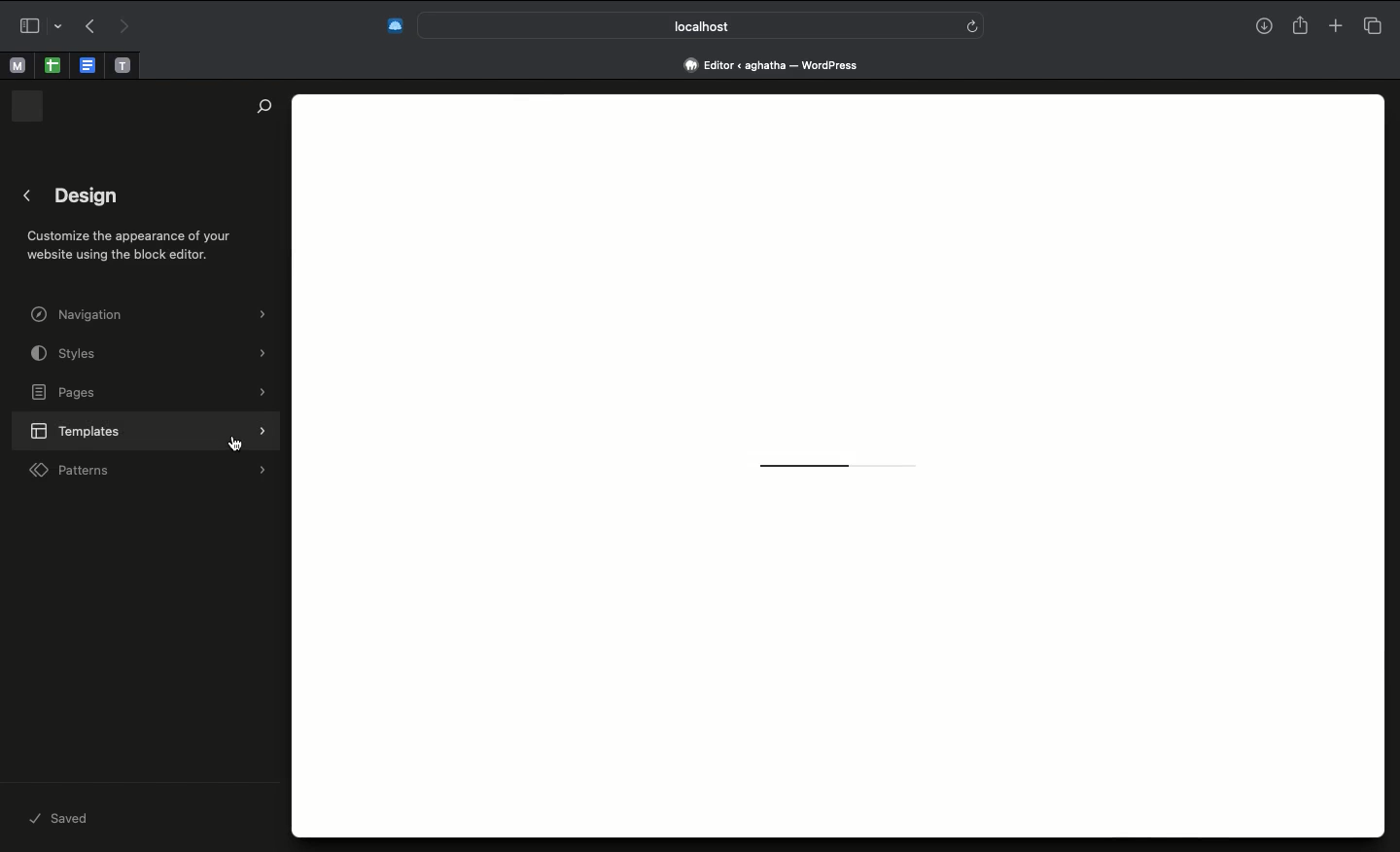  What do you see at coordinates (779, 64) in the screenshot?
I see `Address` at bounding box center [779, 64].